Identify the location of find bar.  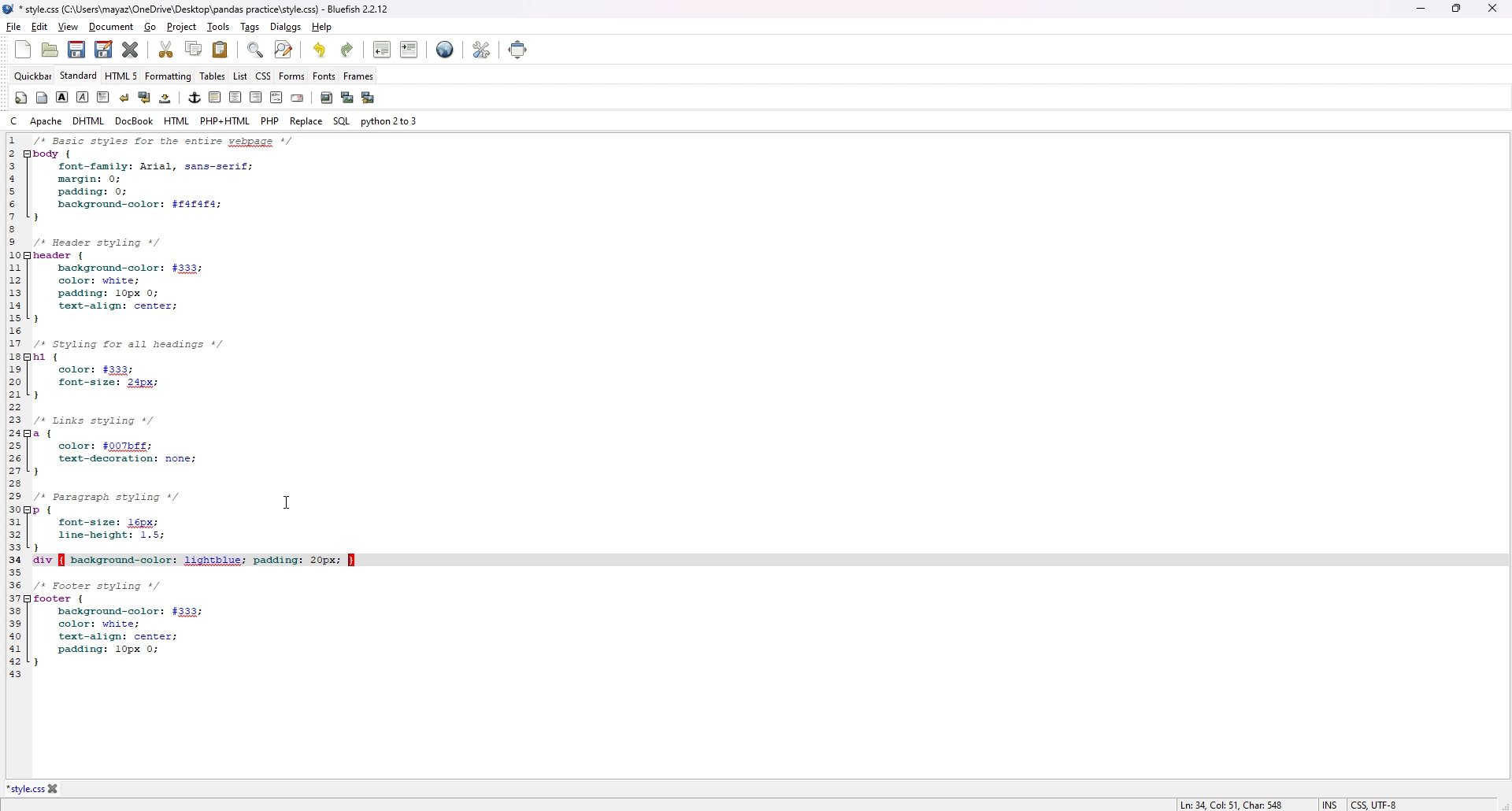
(254, 50).